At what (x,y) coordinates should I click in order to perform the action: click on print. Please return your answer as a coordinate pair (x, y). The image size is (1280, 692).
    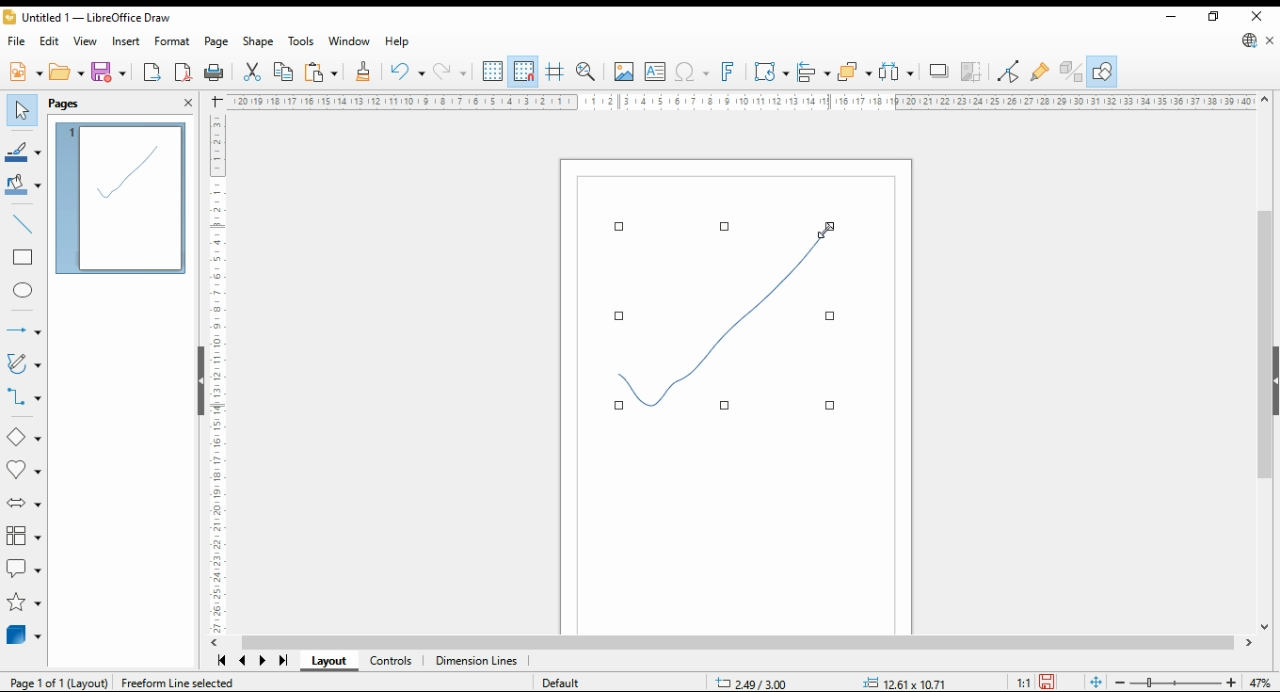
    Looking at the image, I should click on (215, 73).